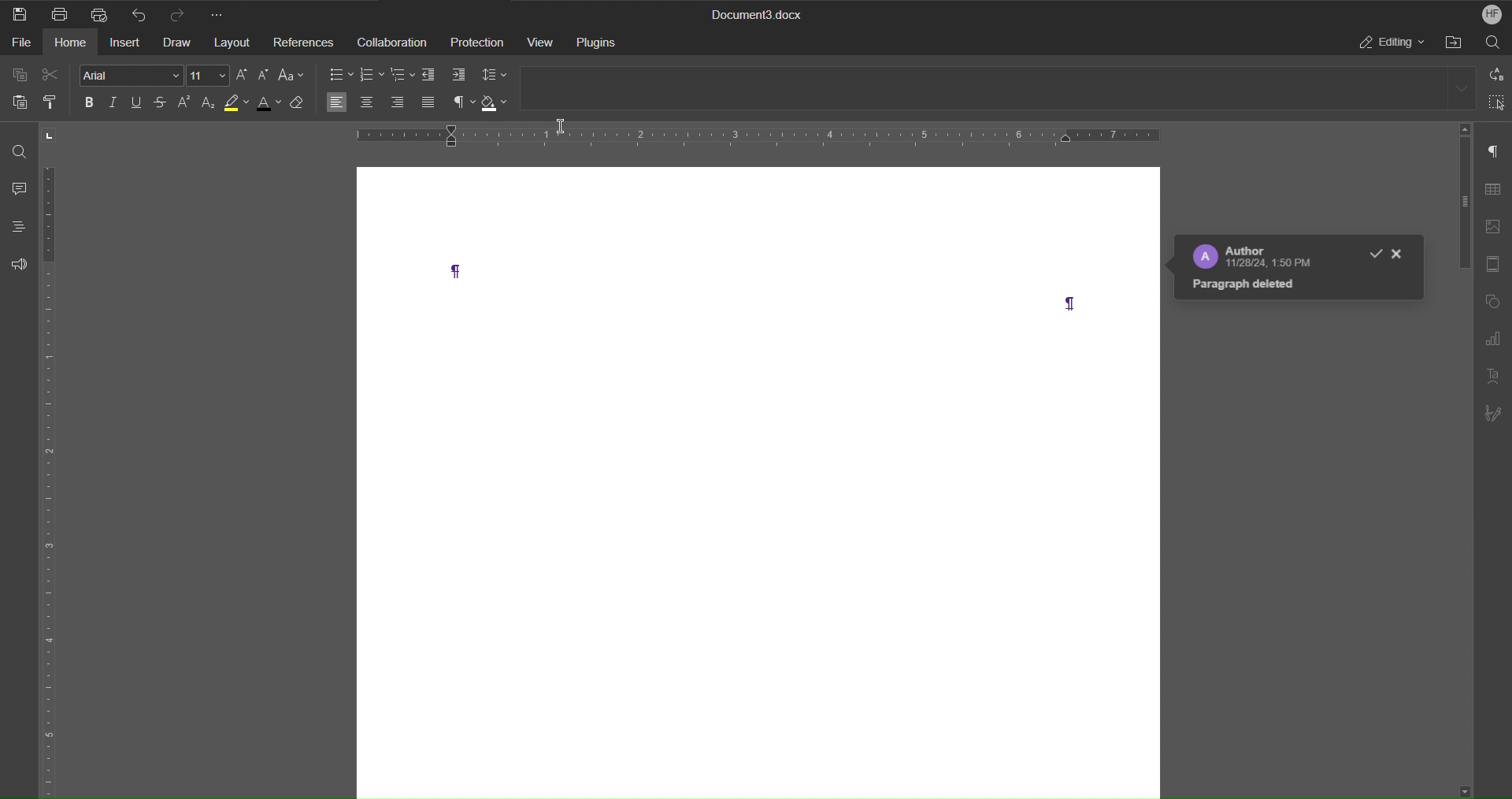  I want to click on Graph Settings, so click(1493, 341).